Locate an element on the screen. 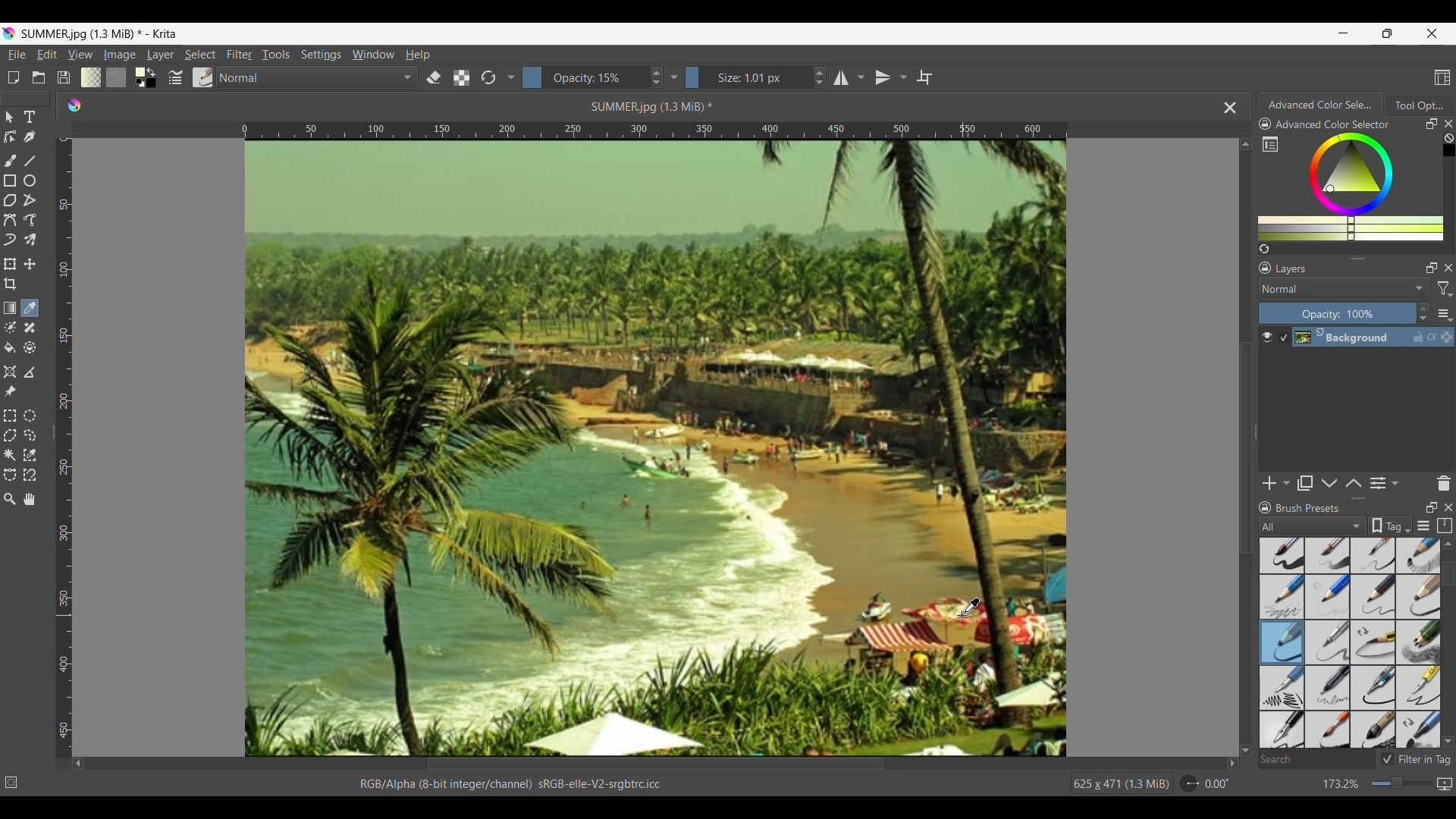 The image size is (1456, 819). Calligraphy is located at coordinates (31, 137).